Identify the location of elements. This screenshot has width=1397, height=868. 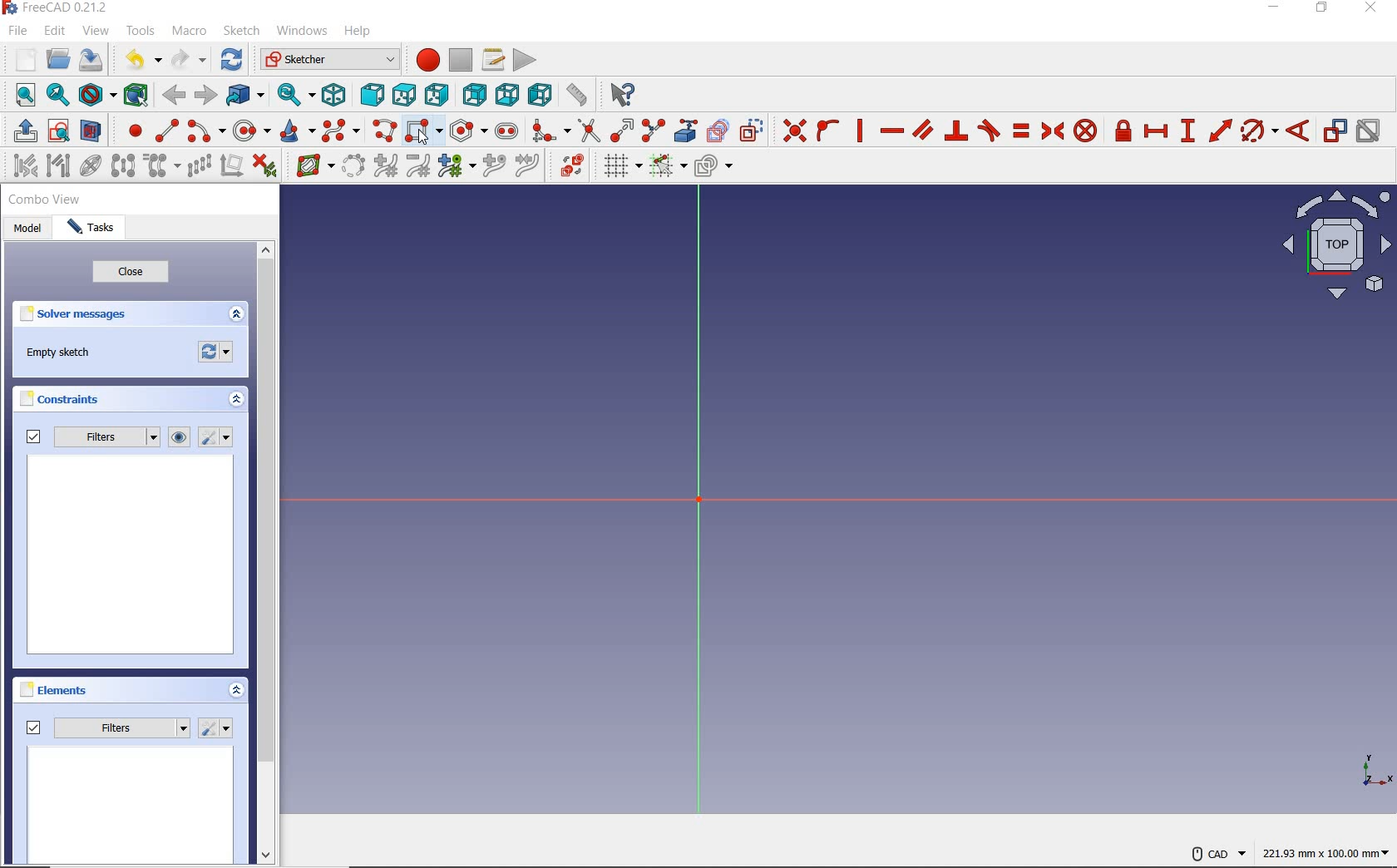
(55, 689).